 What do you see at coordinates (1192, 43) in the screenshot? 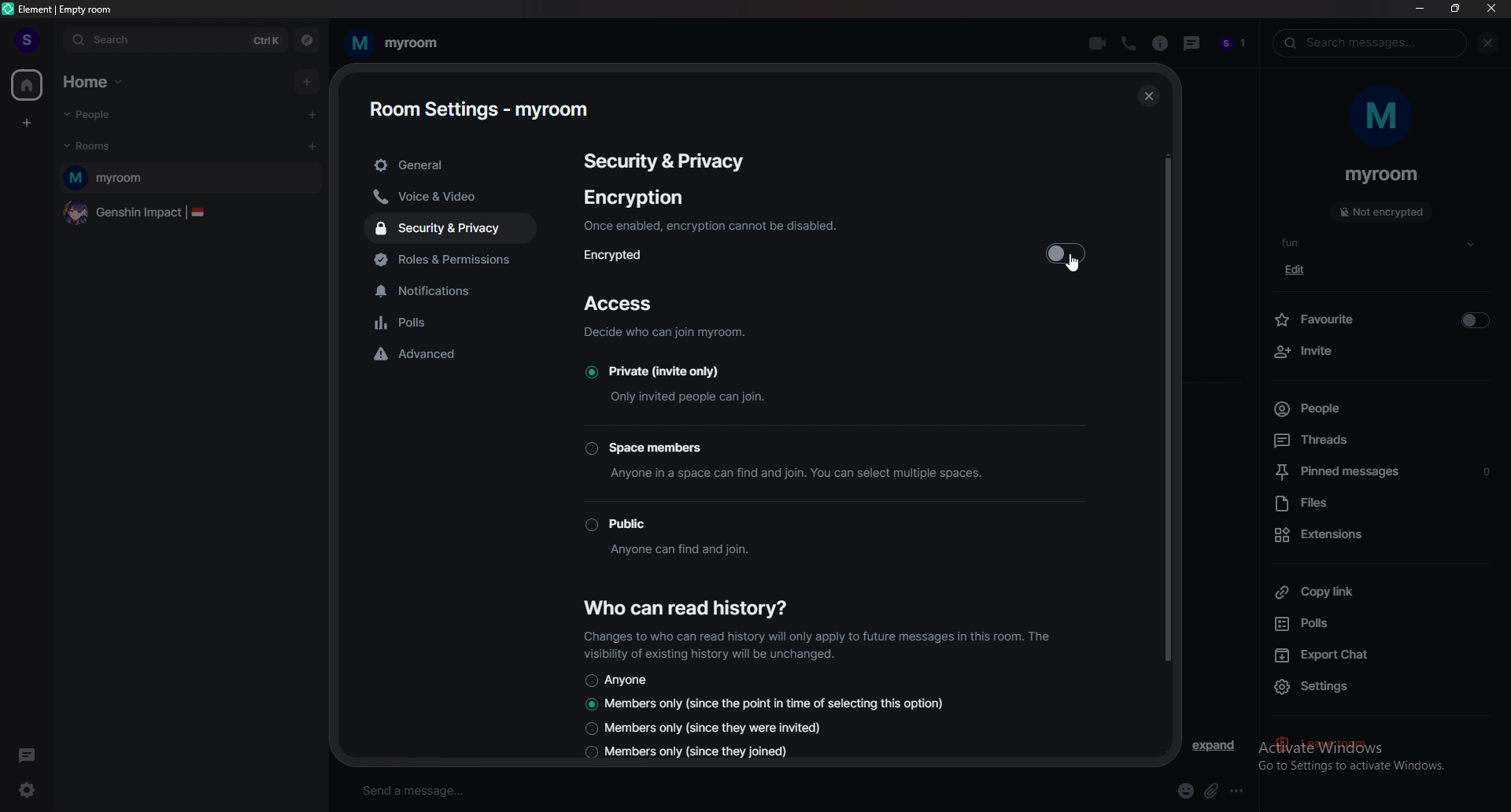
I see `threads` at bounding box center [1192, 43].